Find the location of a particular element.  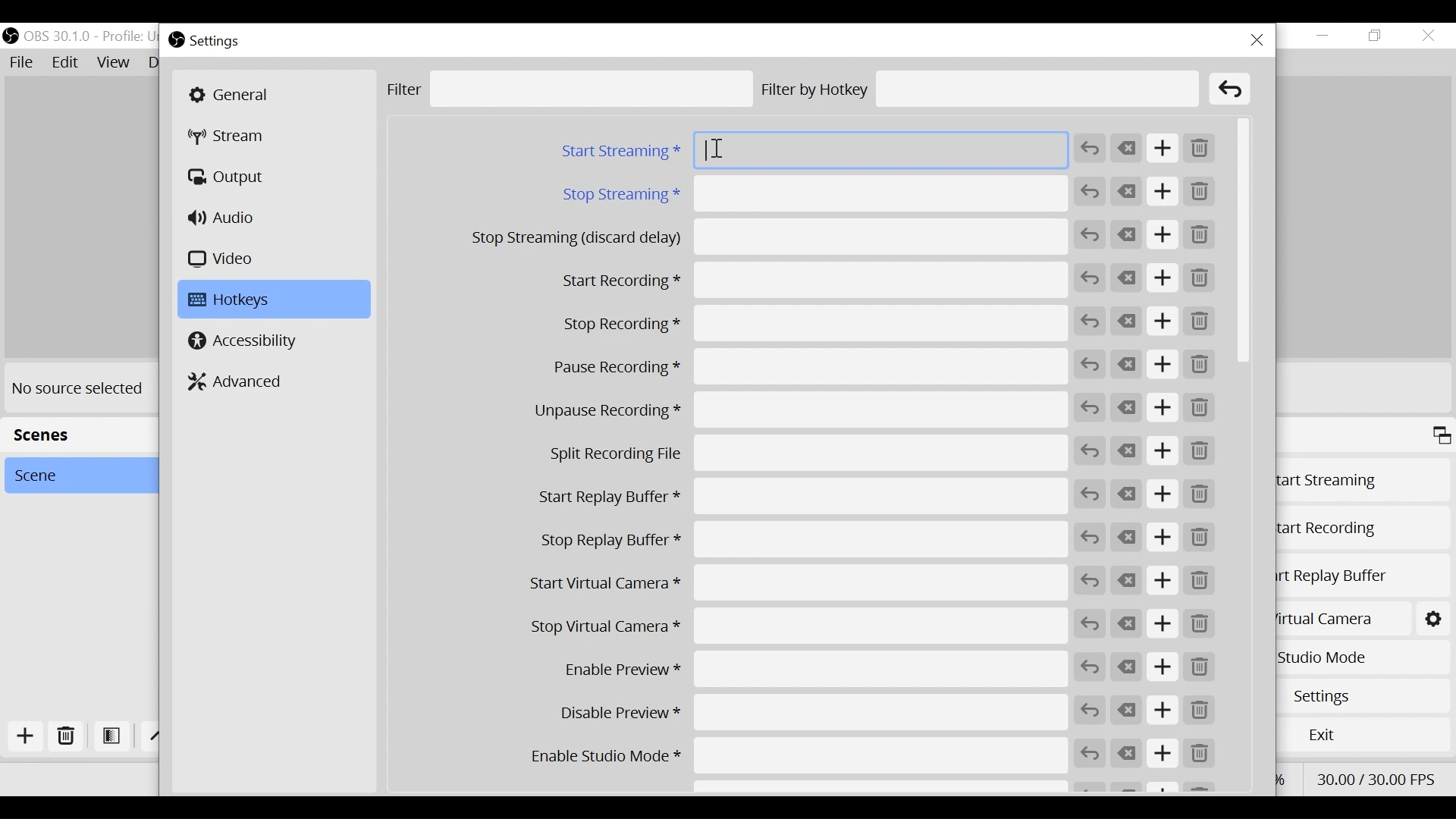

Enable Preview is located at coordinates (798, 669).